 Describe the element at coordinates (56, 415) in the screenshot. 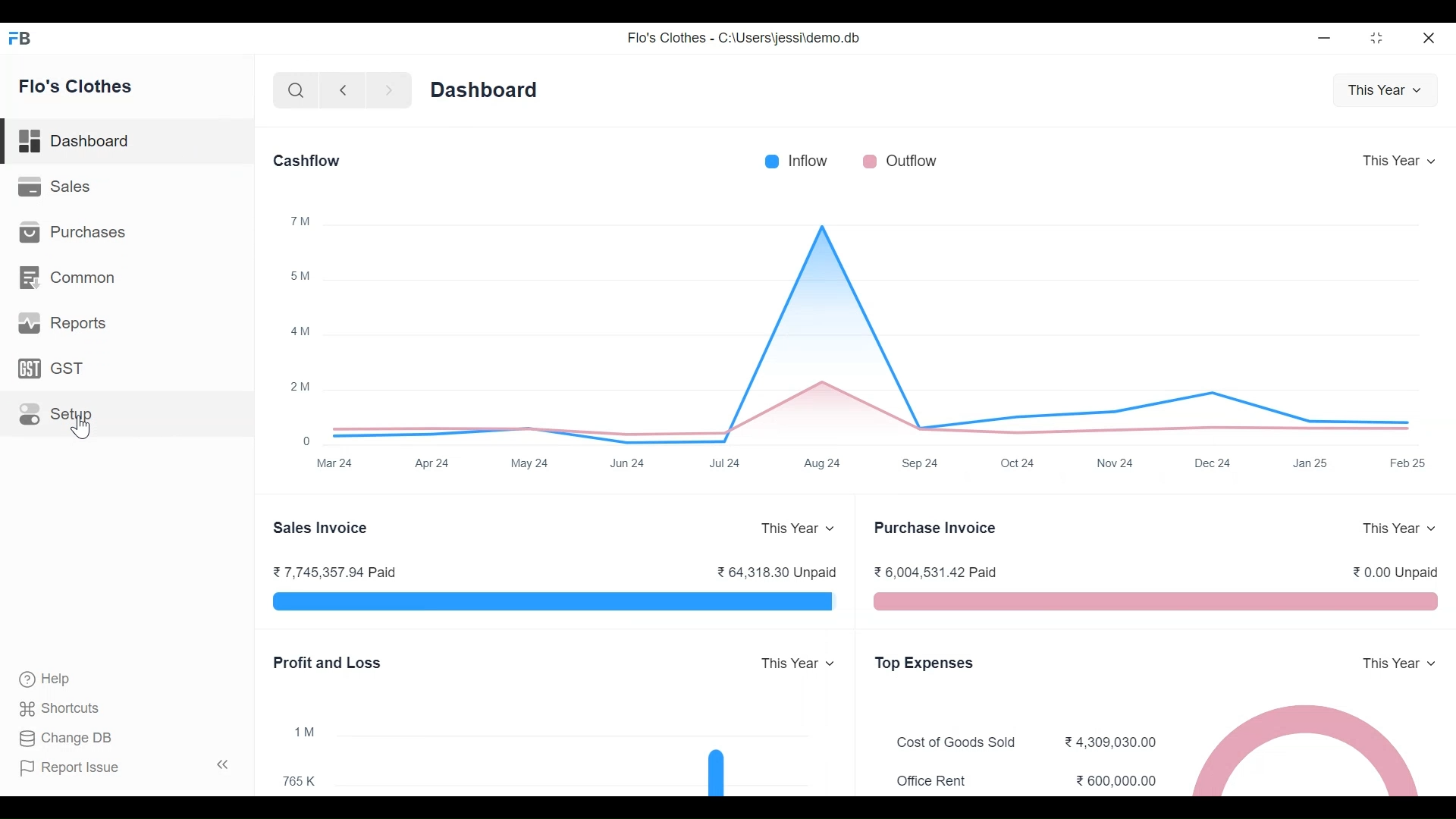

I see `setup` at that location.